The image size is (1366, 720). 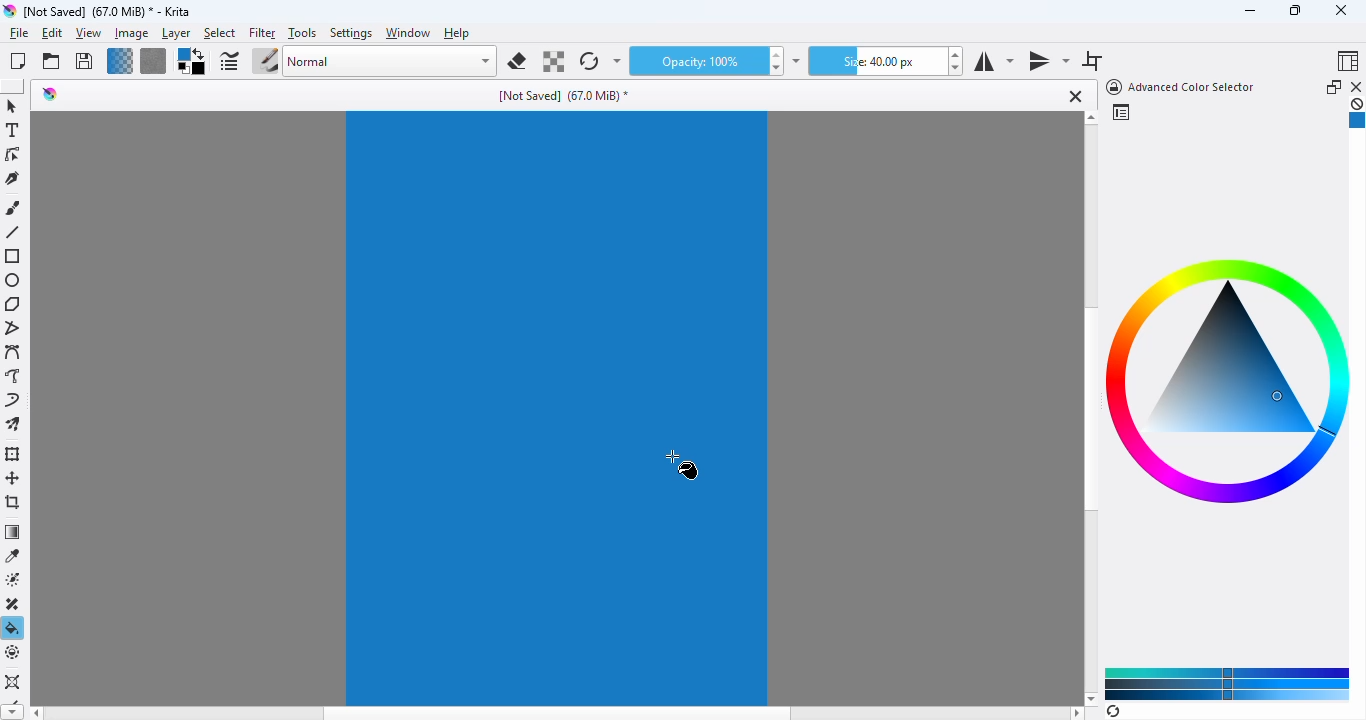 I want to click on horizontal scroll bar, so click(x=558, y=714).